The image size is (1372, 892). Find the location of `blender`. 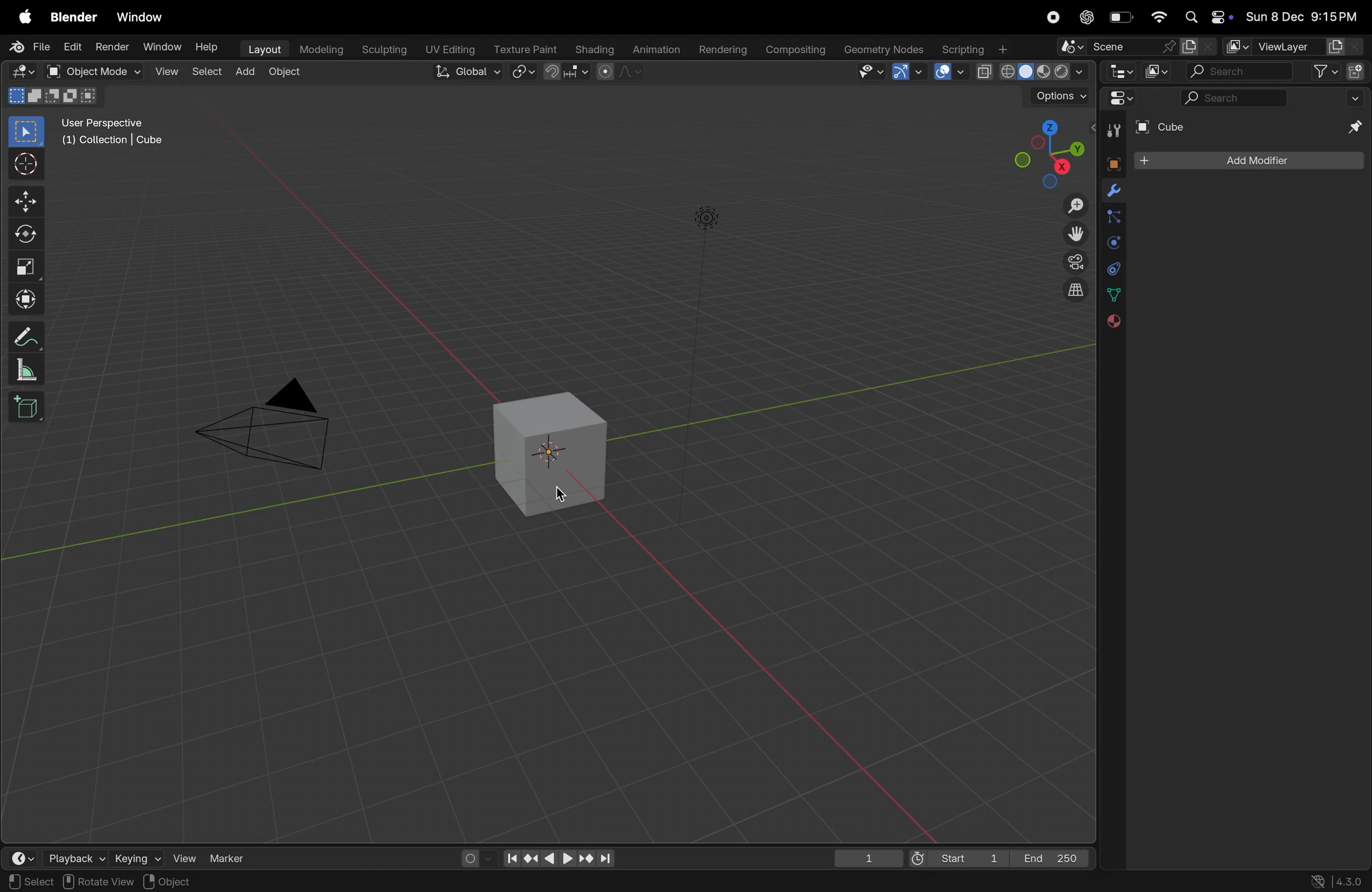

blender is located at coordinates (74, 17).